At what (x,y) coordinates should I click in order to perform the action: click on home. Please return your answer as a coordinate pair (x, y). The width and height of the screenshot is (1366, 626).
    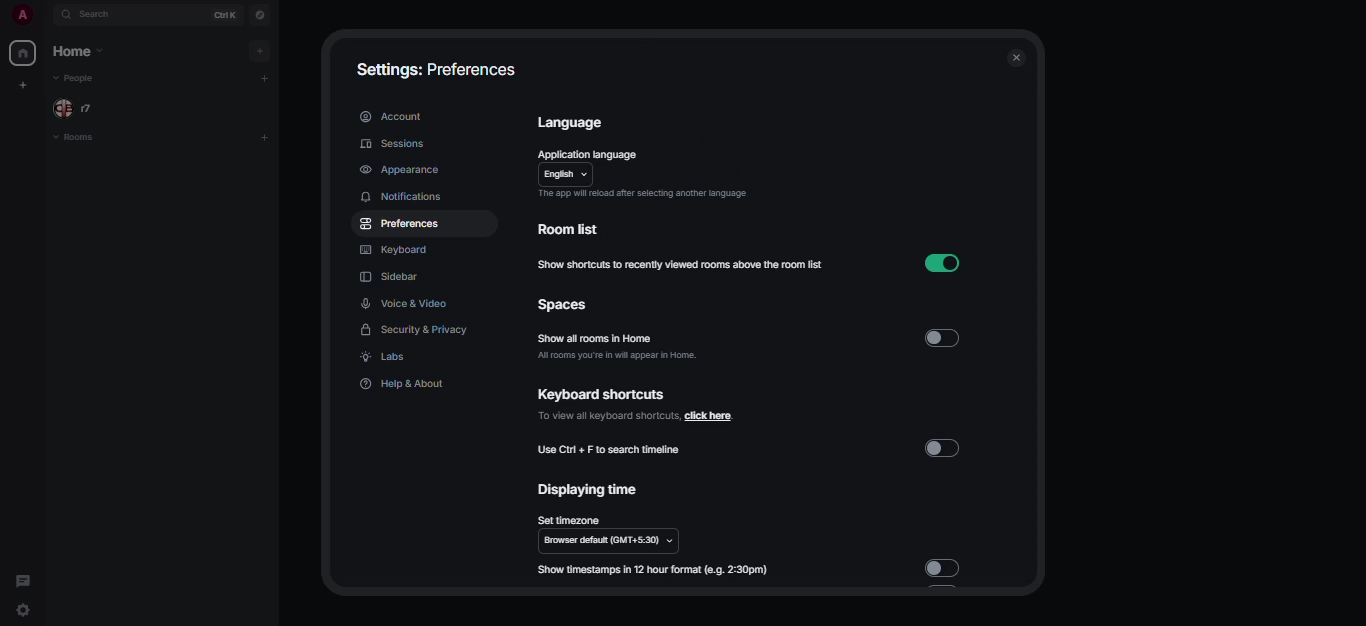
    Looking at the image, I should click on (23, 51).